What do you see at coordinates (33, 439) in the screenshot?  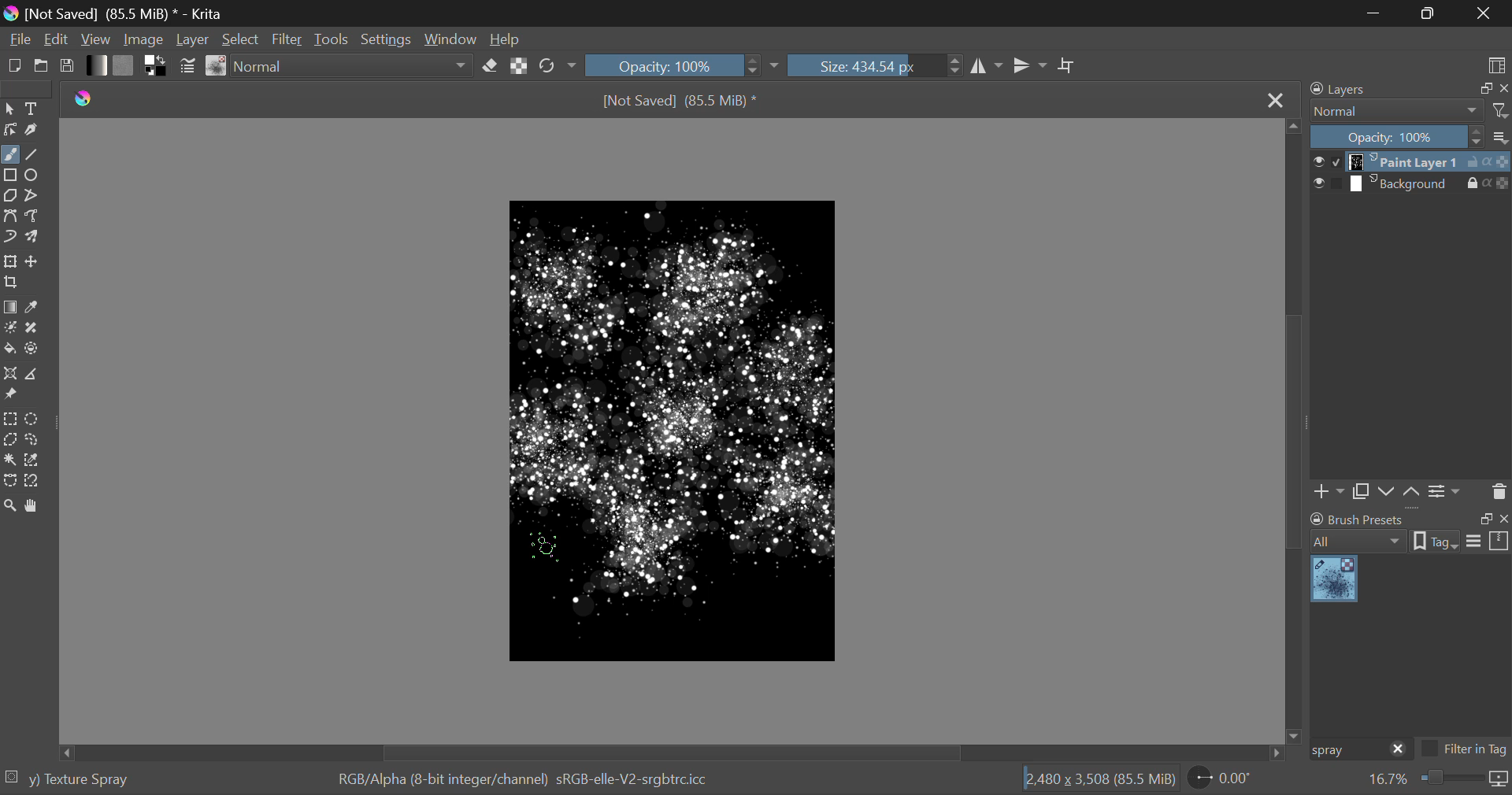 I see `Freehand Selection` at bounding box center [33, 439].